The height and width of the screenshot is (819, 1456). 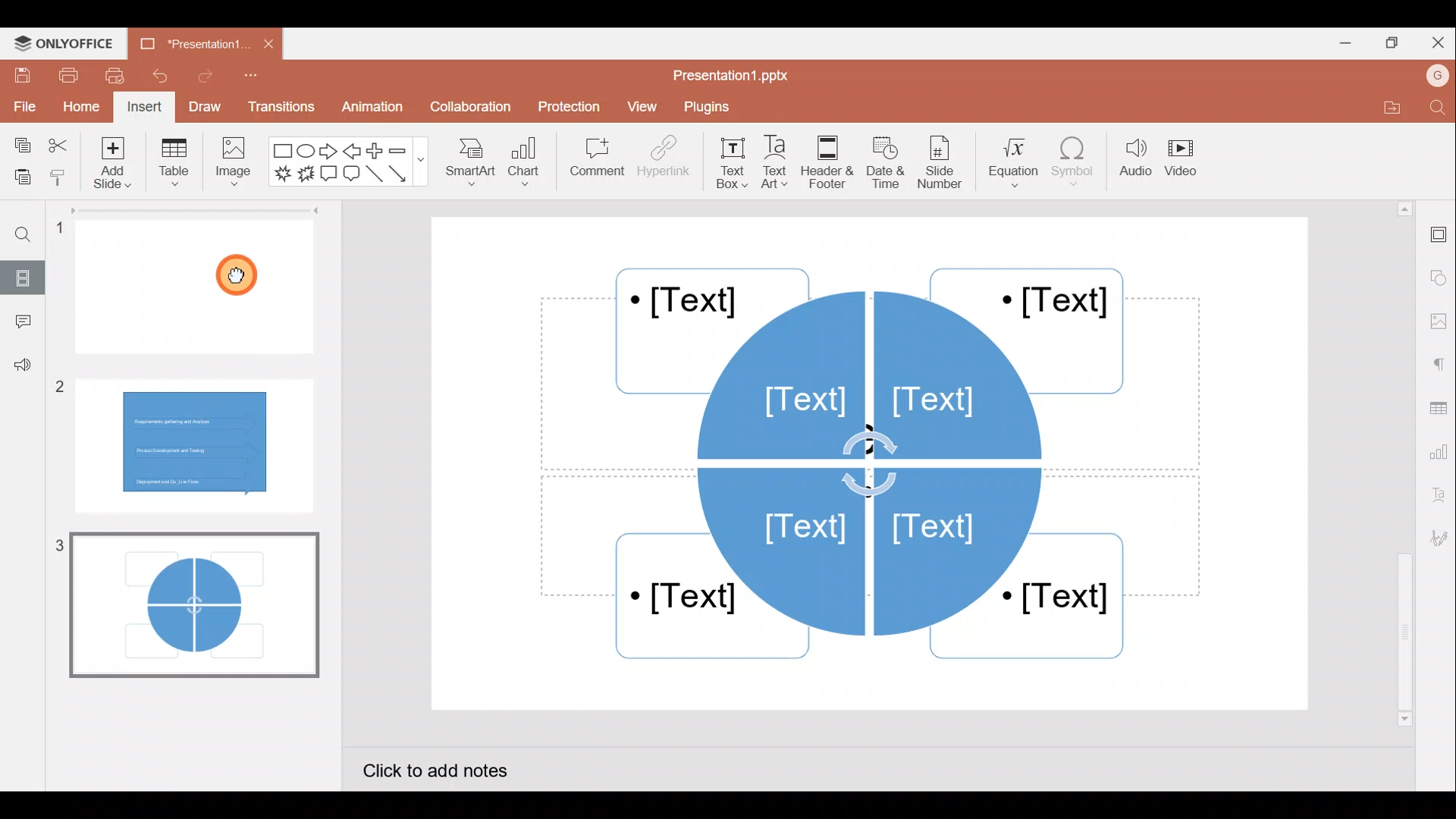 I want to click on Plugins, so click(x=714, y=108).